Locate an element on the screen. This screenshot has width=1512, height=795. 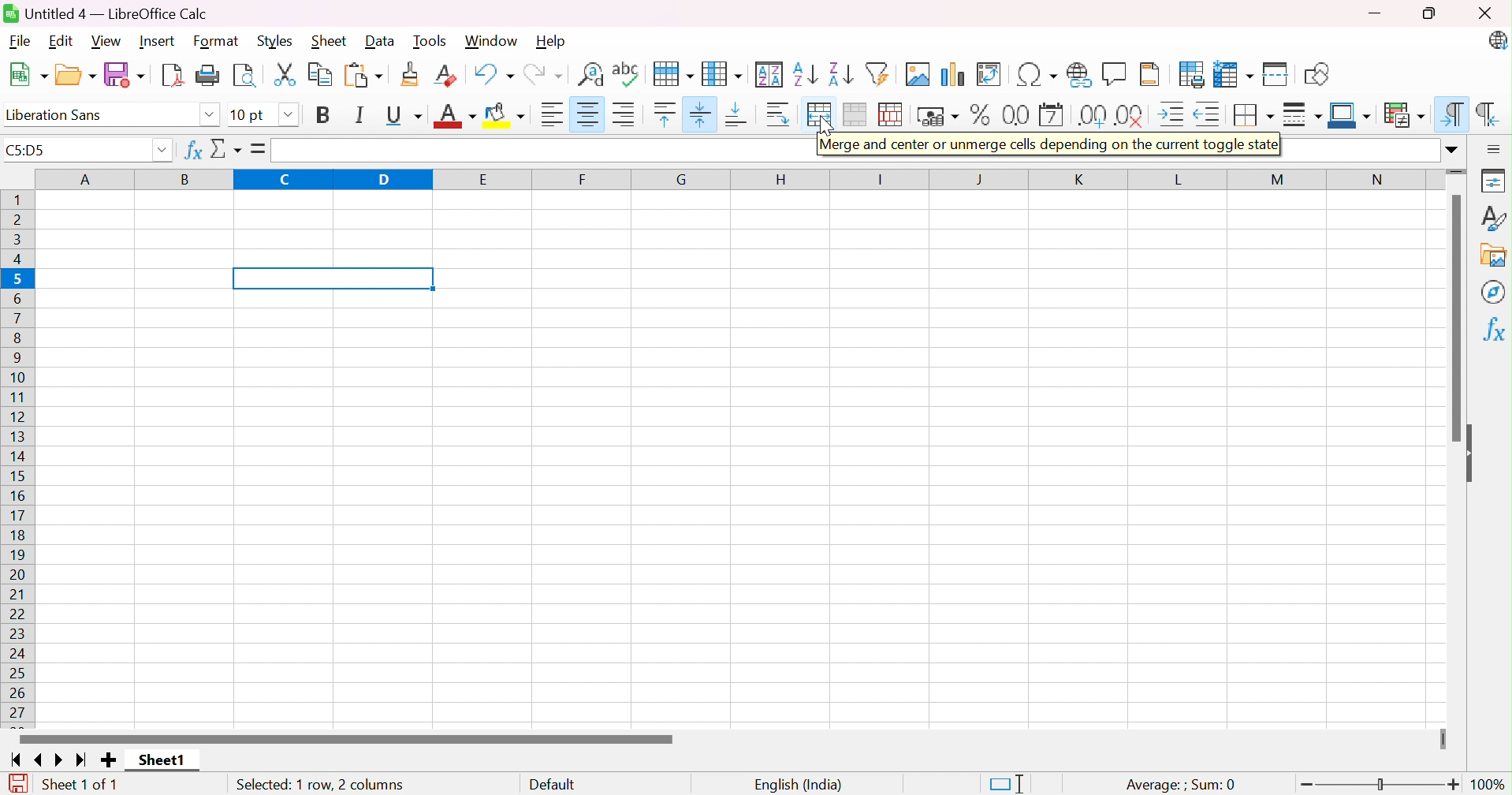
Copy is located at coordinates (321, 75).